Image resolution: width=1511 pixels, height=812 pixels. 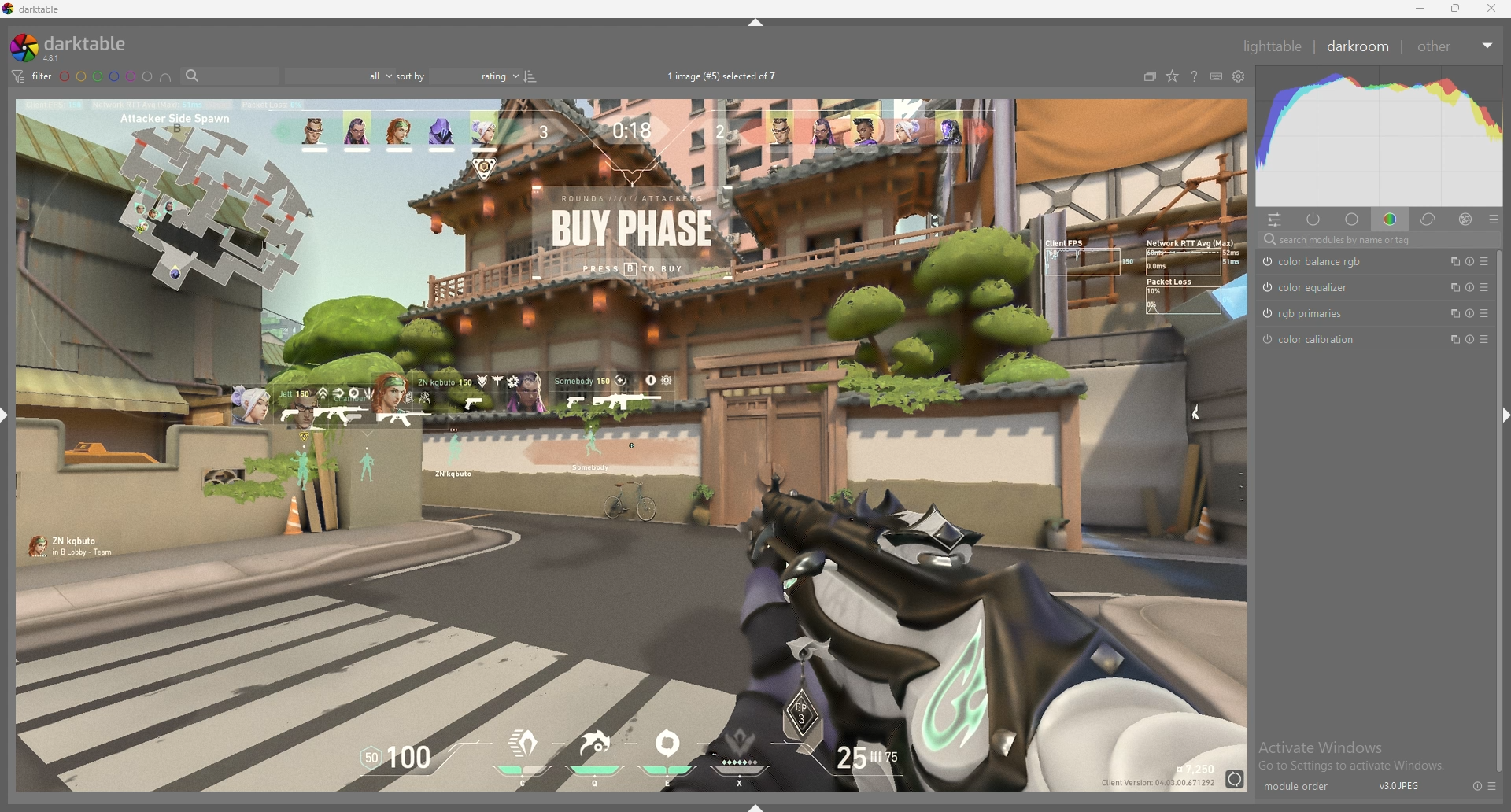 What do you see at coordinates (75, 47) in the screenshot?
I see `darktable` at bounding box center [75, 47].